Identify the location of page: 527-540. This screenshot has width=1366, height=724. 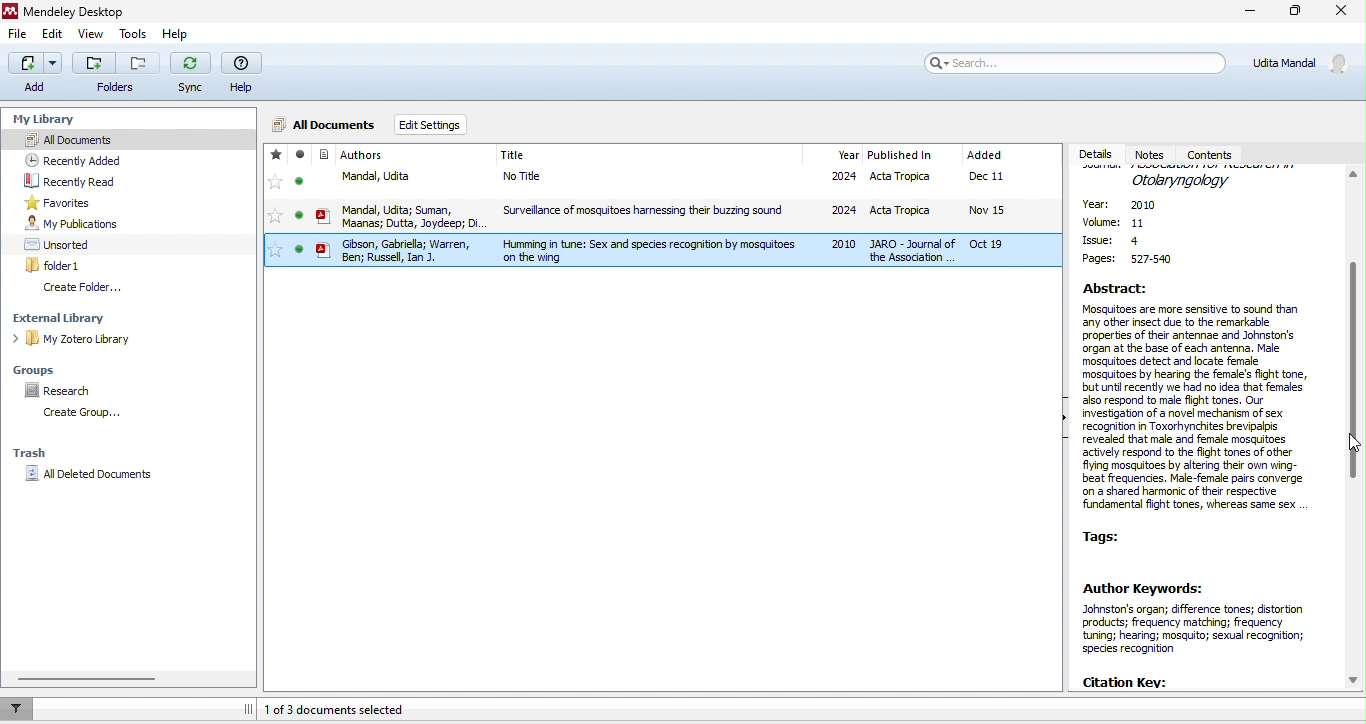
(1130, 262).